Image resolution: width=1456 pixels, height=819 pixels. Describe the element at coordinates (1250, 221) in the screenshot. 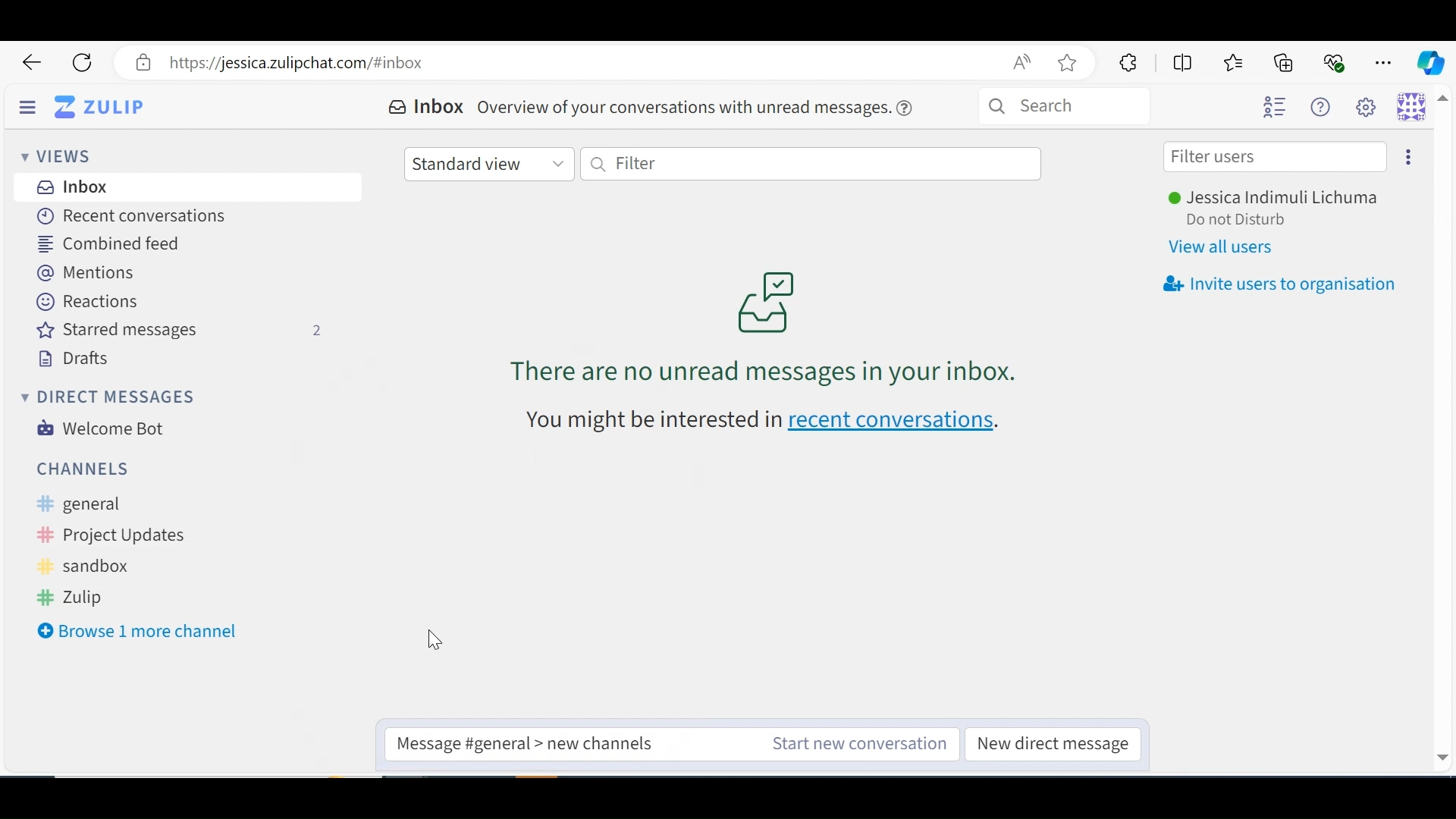

I see `Status` at that location.